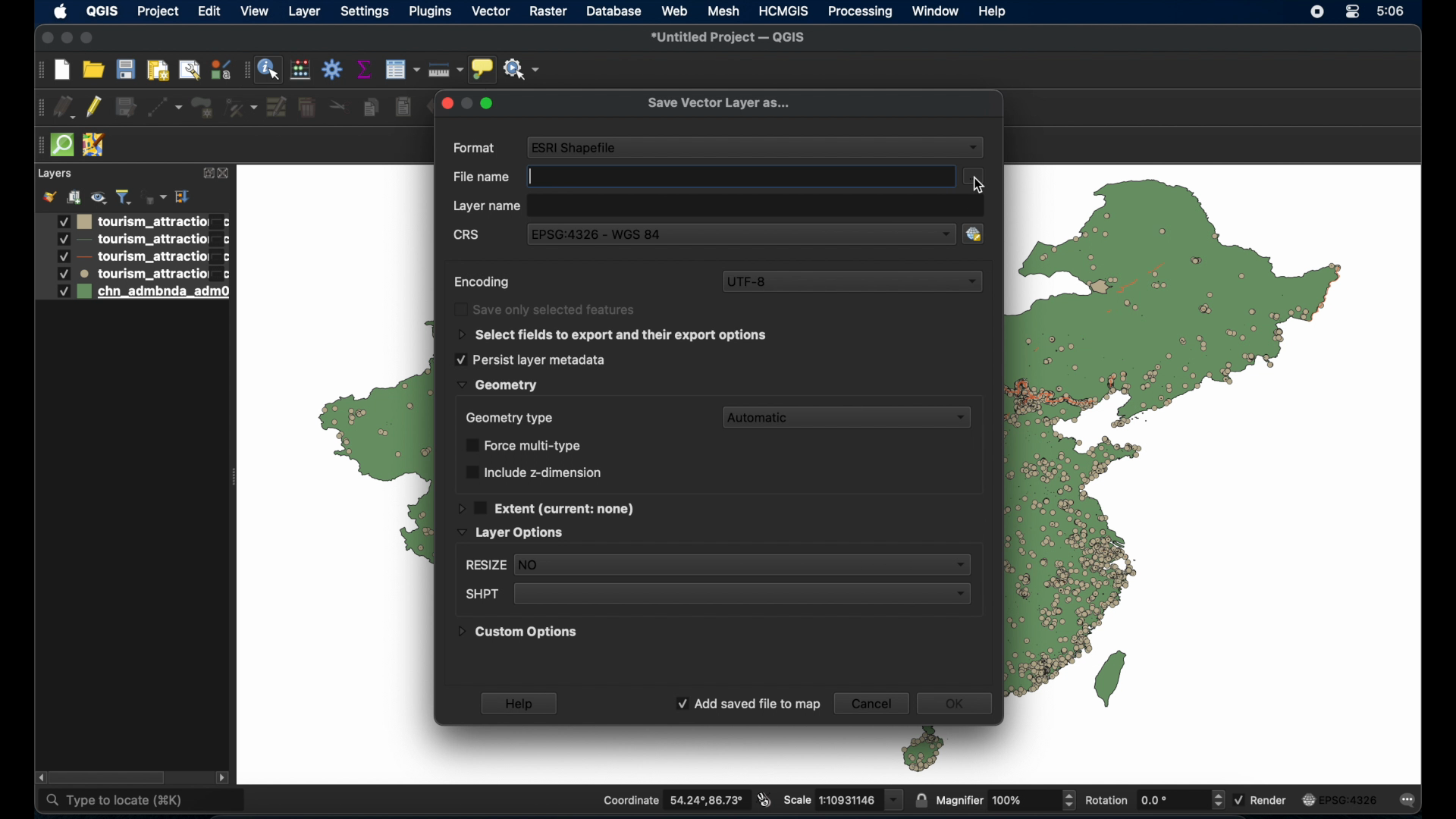  What do you see at coordinates (509, 417) in the screenshot?
I see `geometry type` at bounding box center [509, 417].